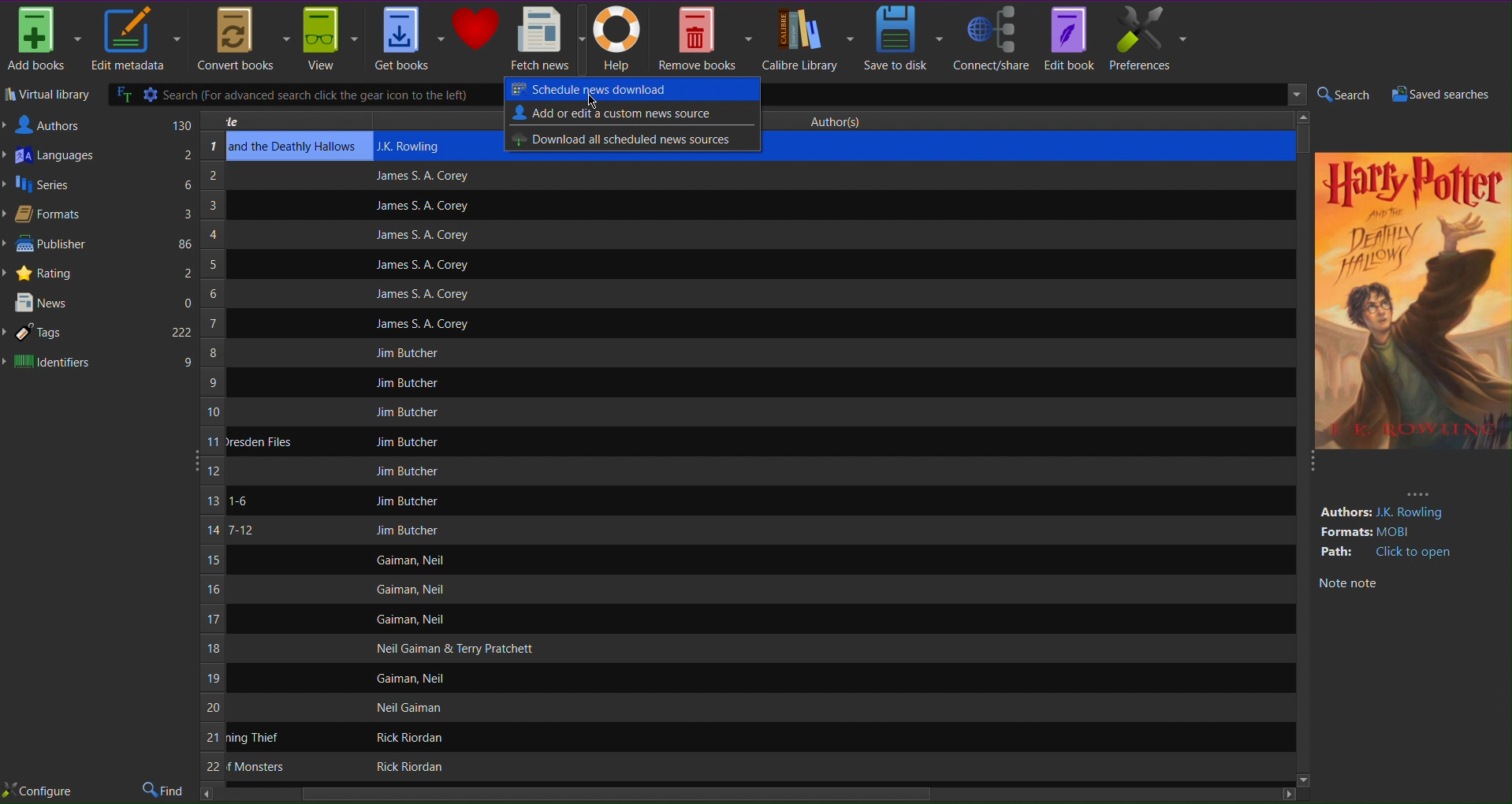 This screenshot has width=1512, height=804. Describe the element at coordinates (135, 40) in the screenshot. I see `Edit metadata` at that location.